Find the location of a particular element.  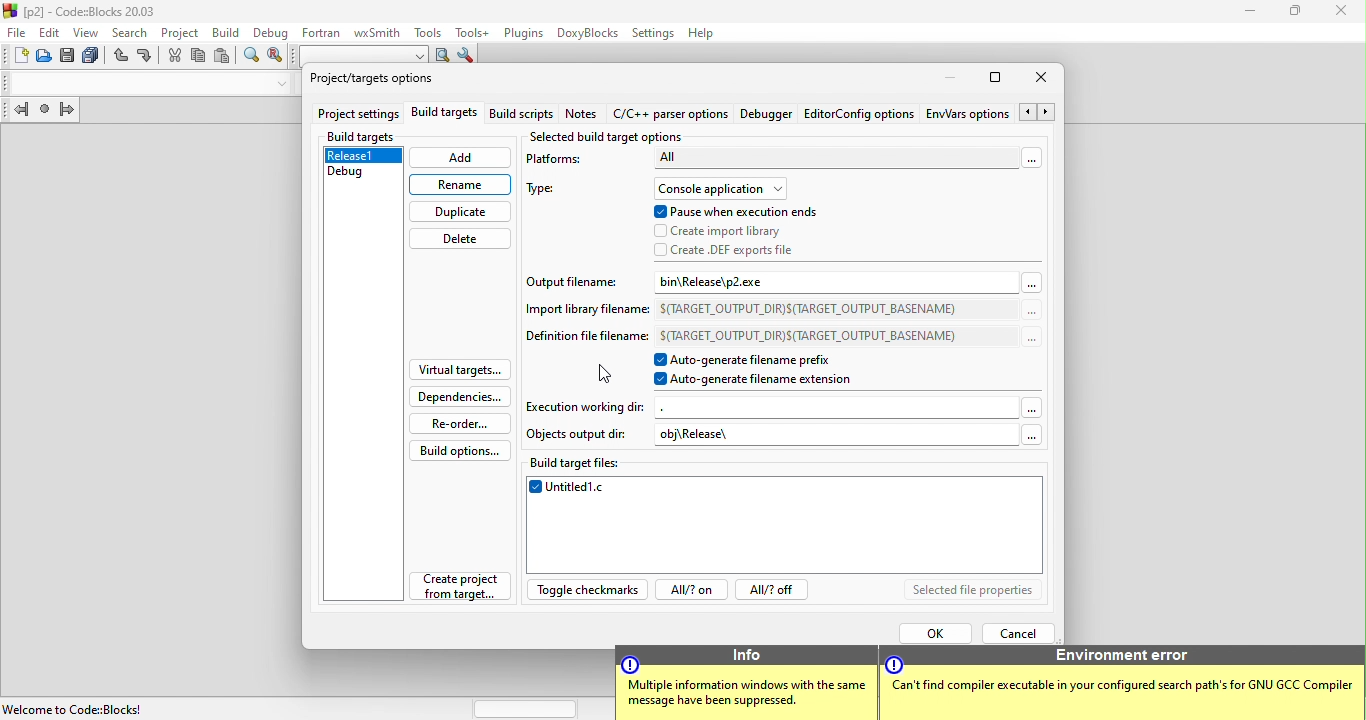

console application is located at coordinates (718, 189).